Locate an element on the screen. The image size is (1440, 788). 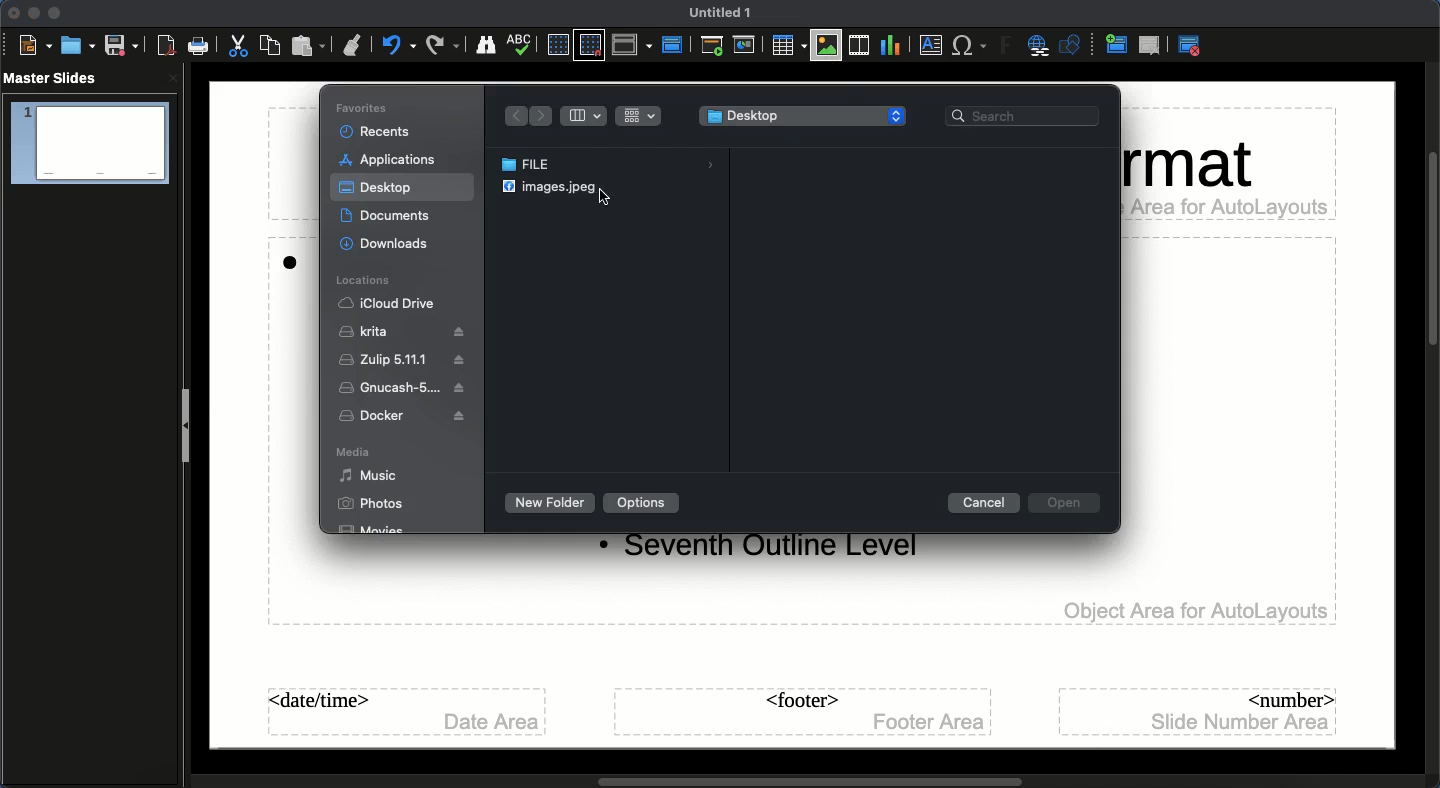
Export as PDF is located at coordinates (166, 47).